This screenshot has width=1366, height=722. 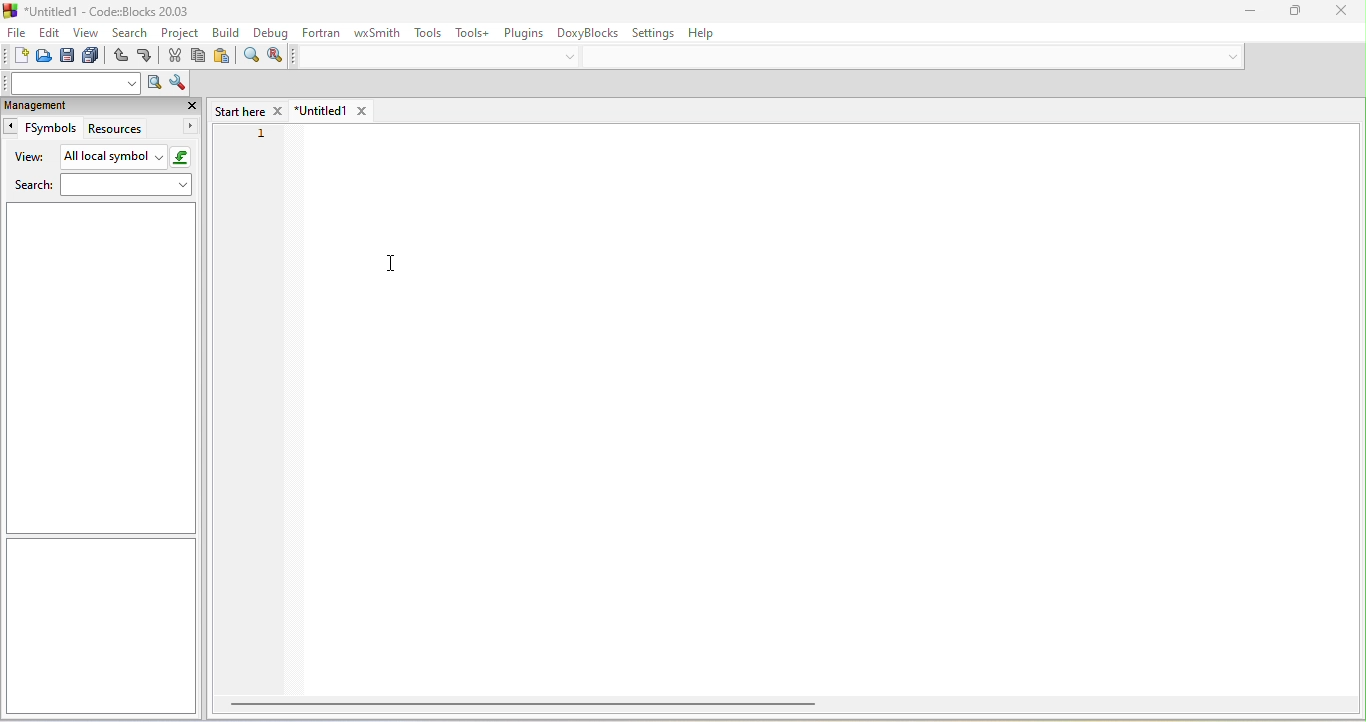 I want to click on close, so click(x=1344, y=13).